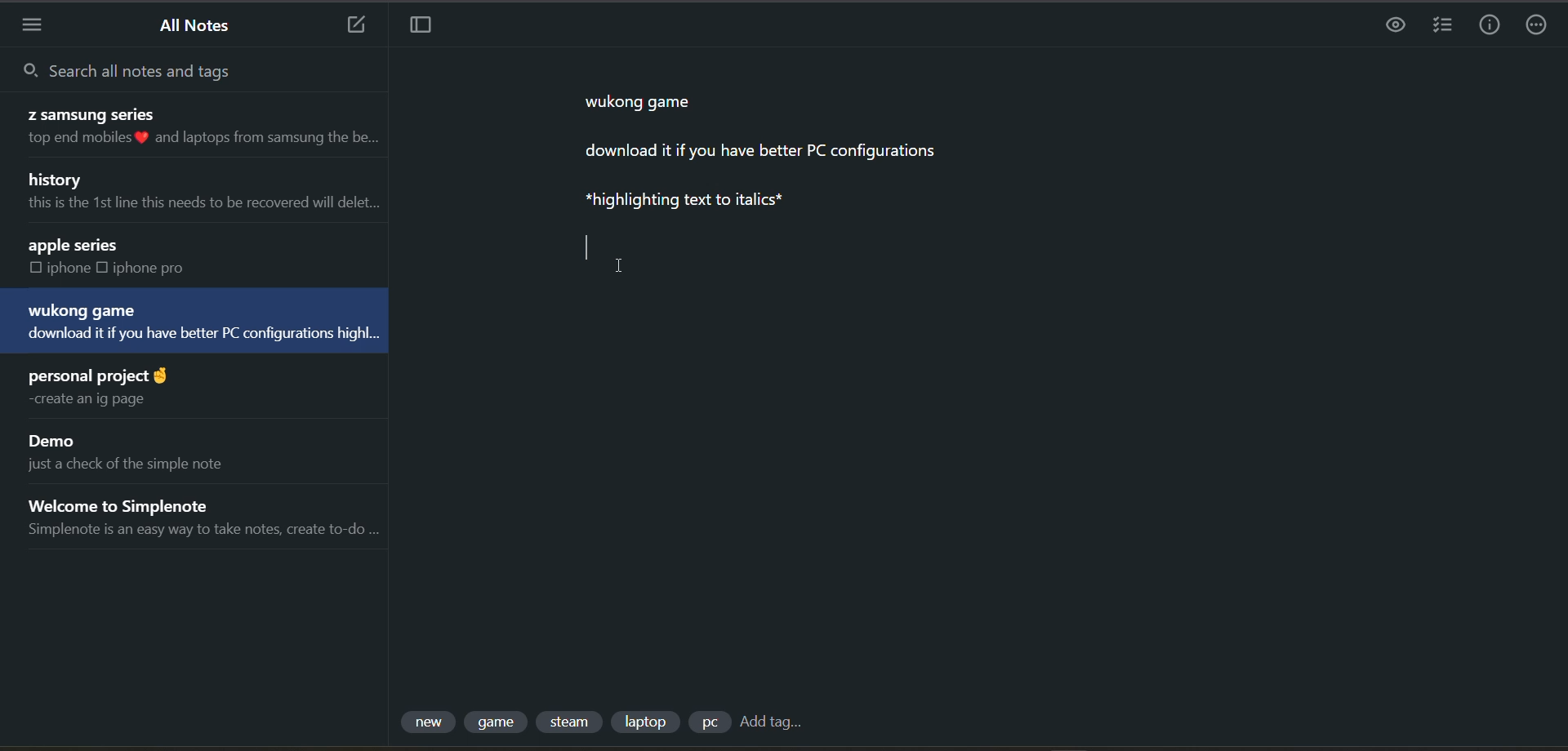 The image size is (1568, 751). What do you see at coordinates (203, 24) in the screenshot?
I see `all notes` at bounding box center [203, 24].